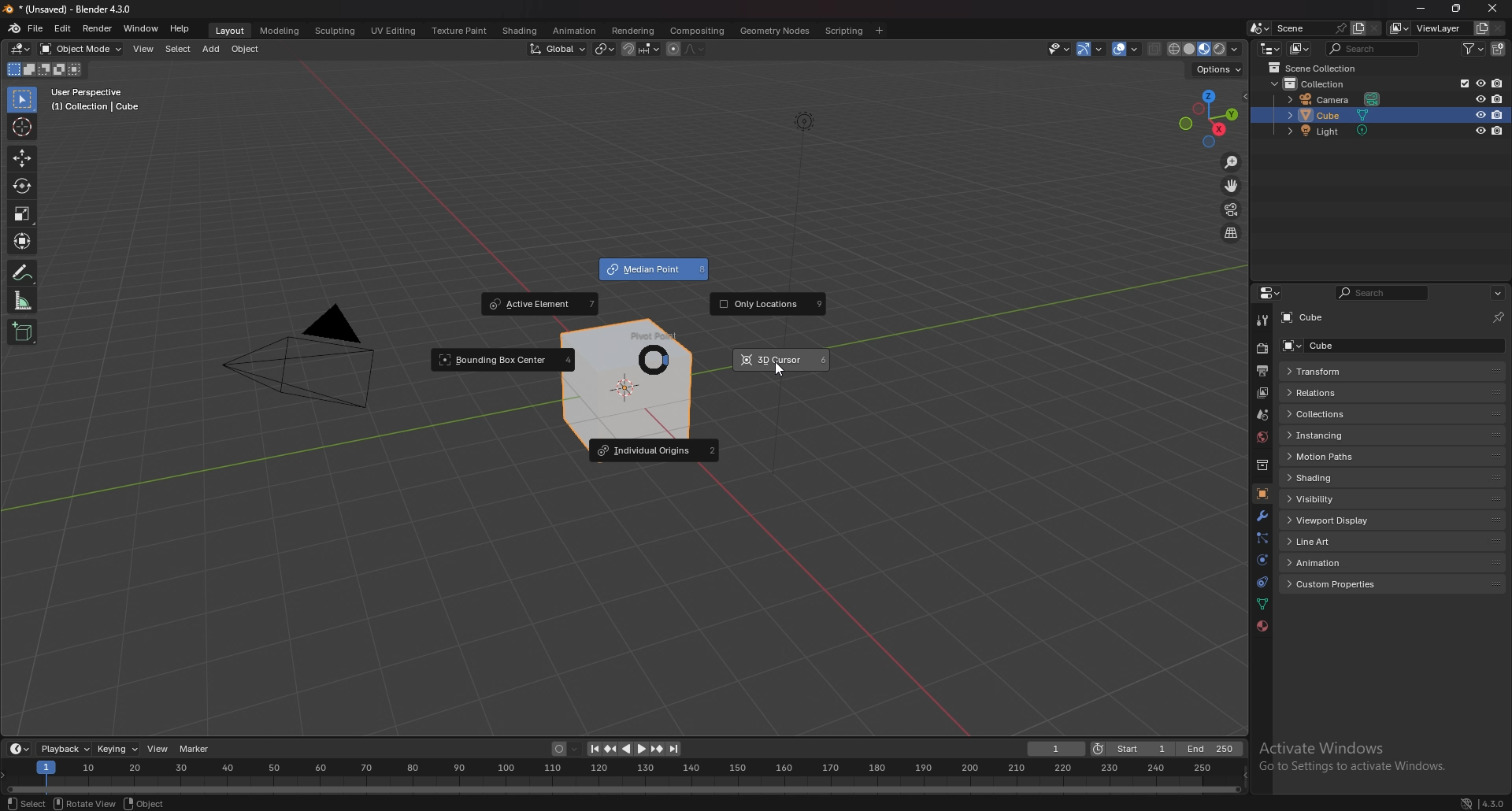  Describe the element at coordinates (297, 357) in the screenshot. I see `pyramid` at that location.